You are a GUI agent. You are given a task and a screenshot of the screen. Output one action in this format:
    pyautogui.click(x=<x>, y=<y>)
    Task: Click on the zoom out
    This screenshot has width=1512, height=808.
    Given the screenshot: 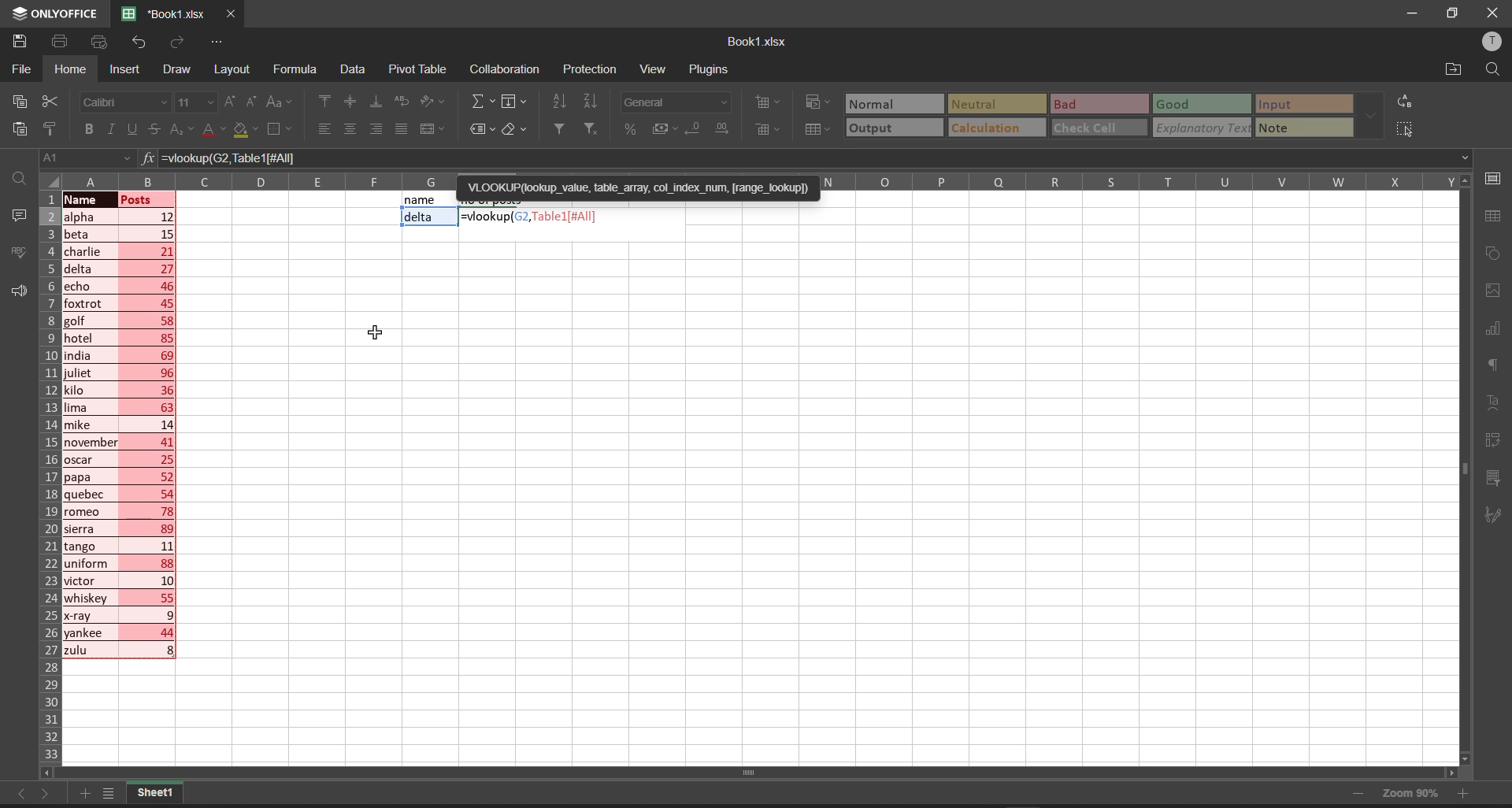 What is the action you would take?
    pyautogui.click(x=1356, y=796)
    